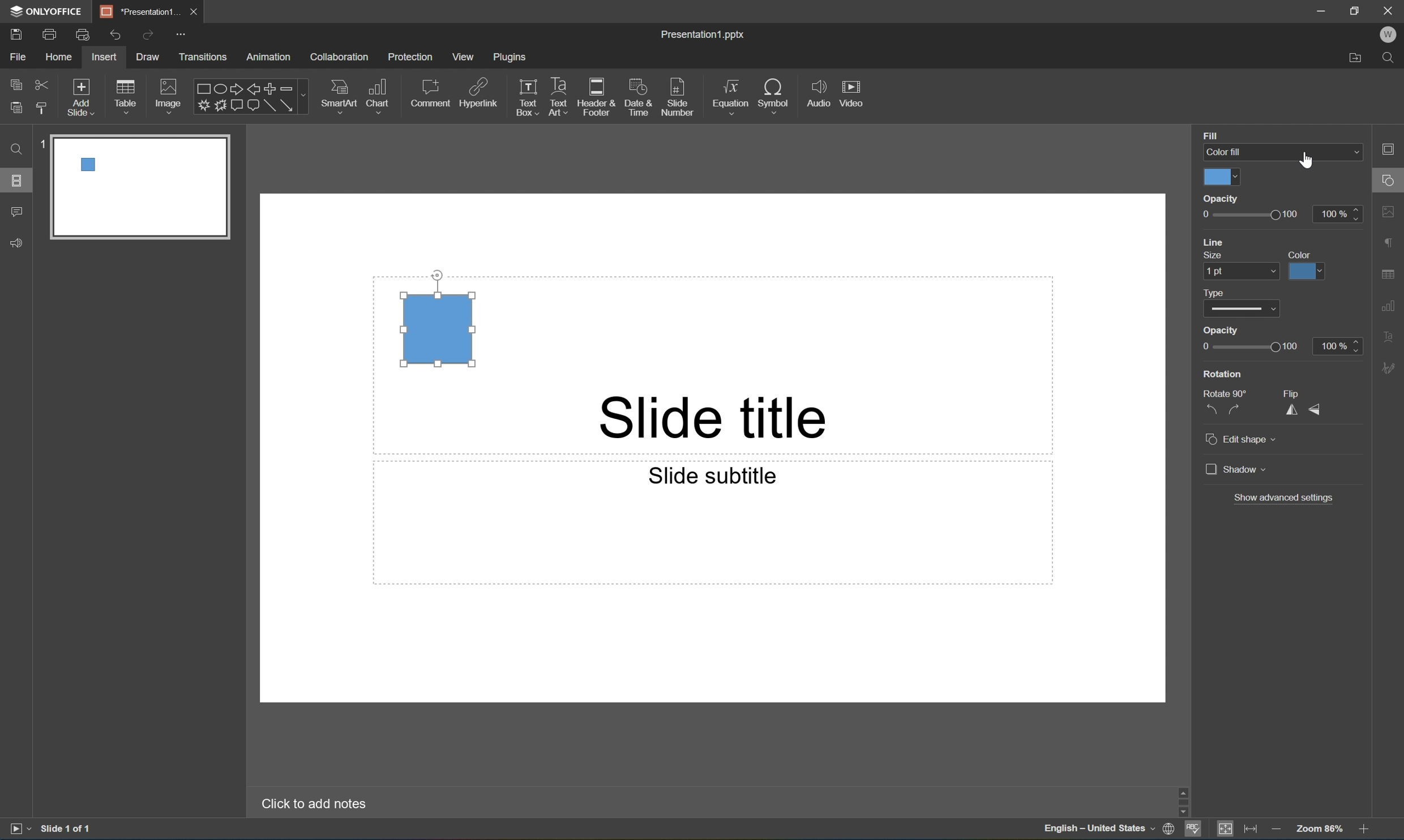 The image size is (1404, 840). I want to click on Copy, so click(17, 83).